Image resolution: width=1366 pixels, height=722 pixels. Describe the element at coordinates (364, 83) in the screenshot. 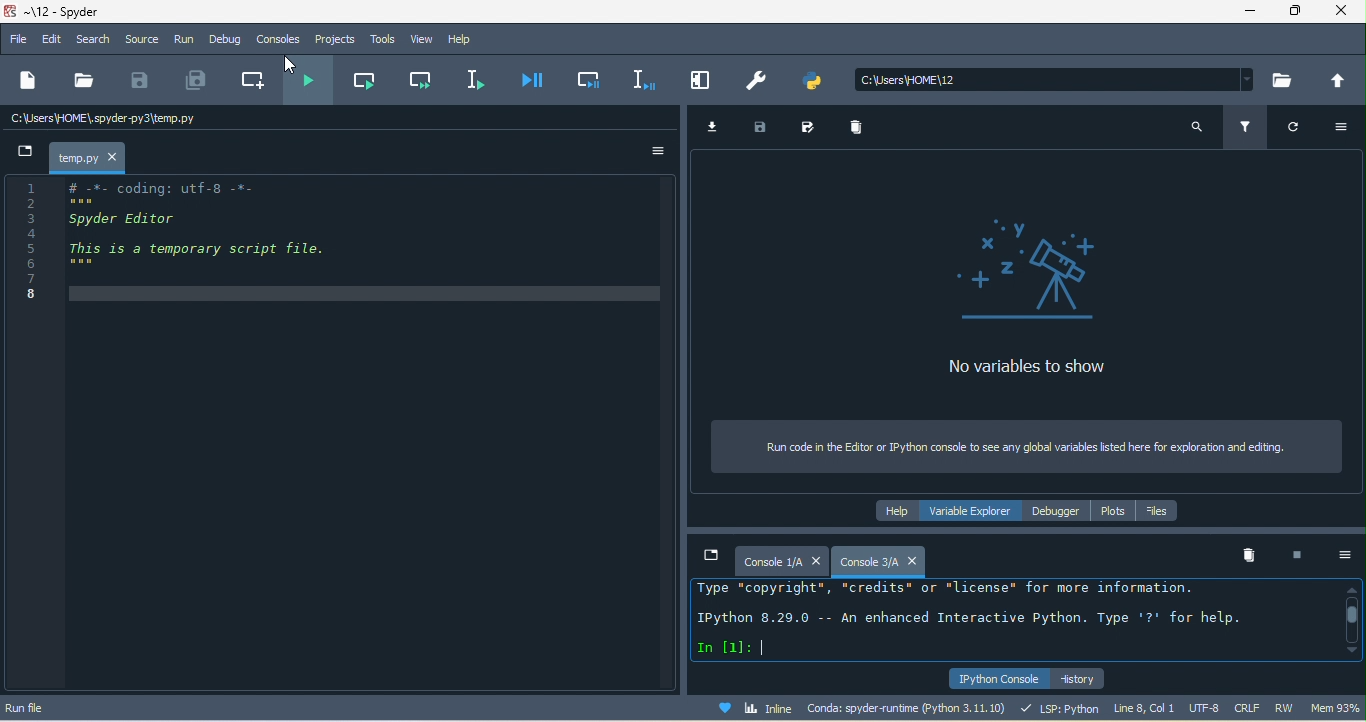

I see `run current cell` at that location.